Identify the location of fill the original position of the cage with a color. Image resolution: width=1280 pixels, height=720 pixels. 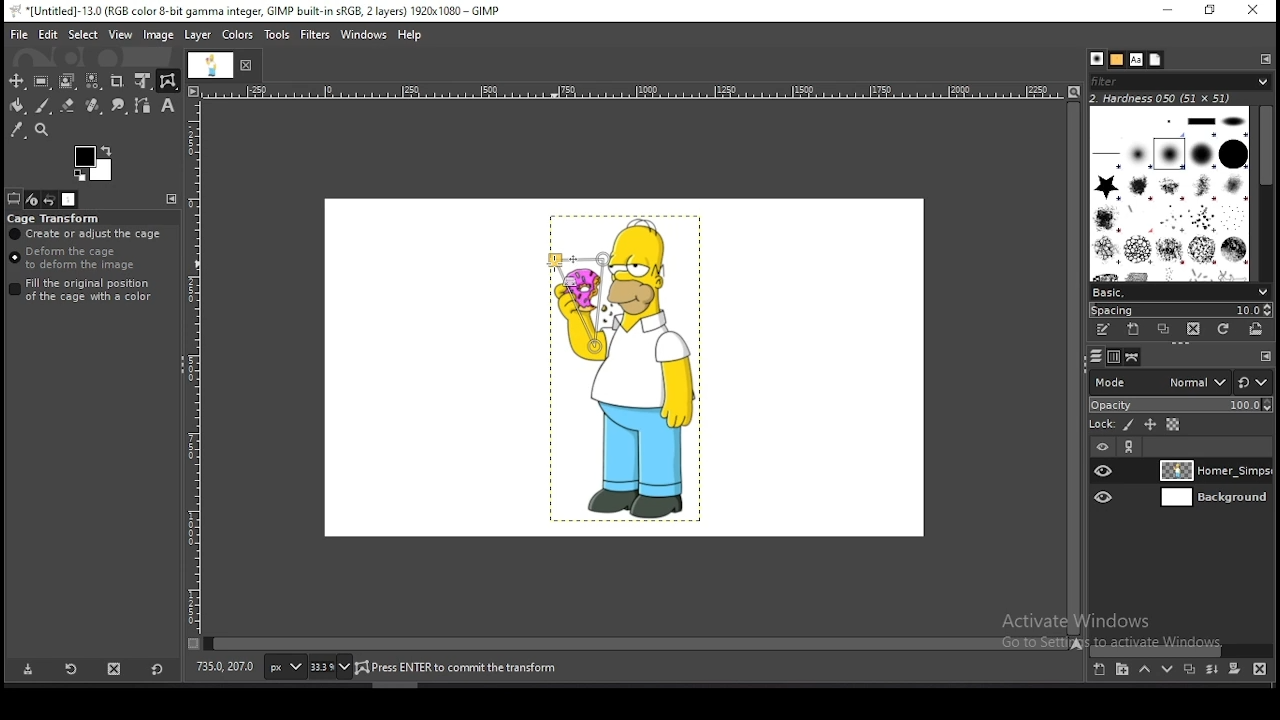
(86, 290).